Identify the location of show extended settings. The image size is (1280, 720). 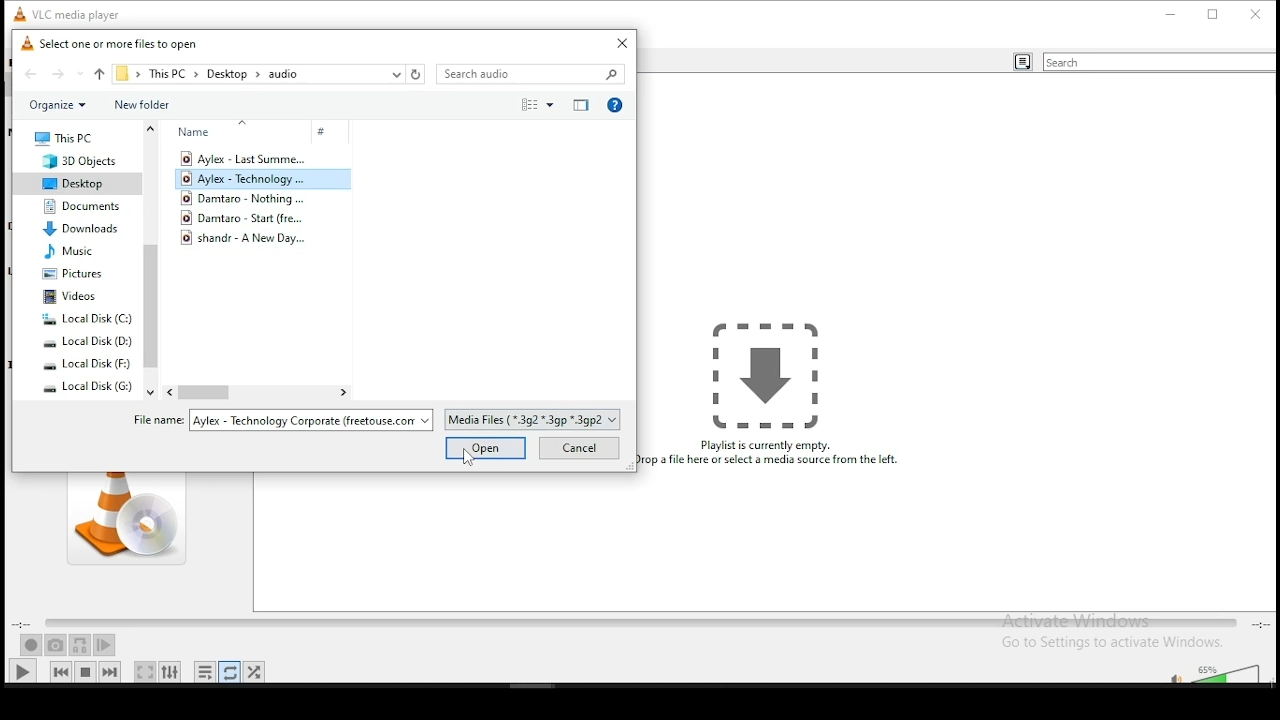
(171, 672).